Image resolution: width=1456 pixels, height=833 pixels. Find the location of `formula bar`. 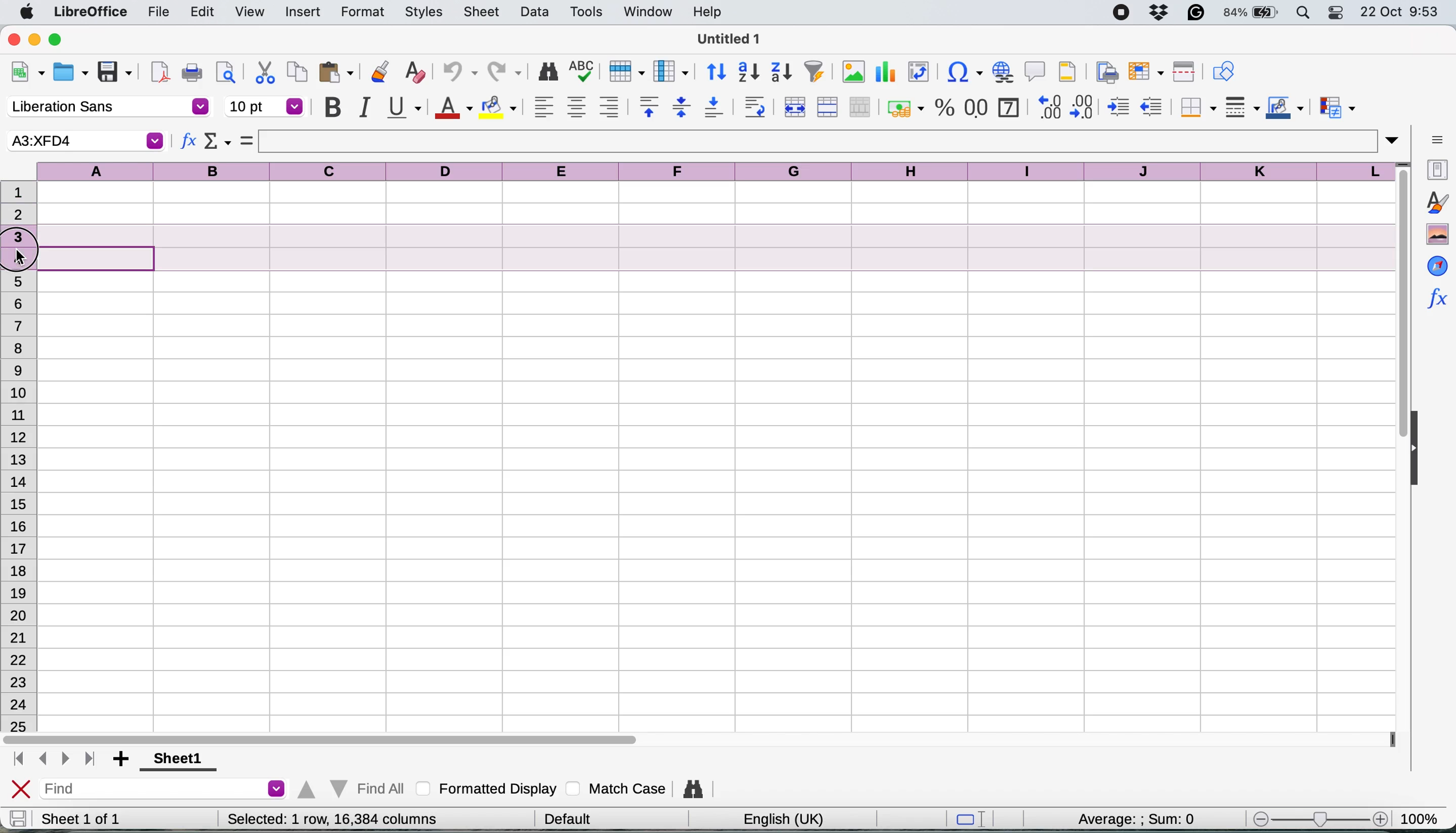

formula bar is located at coordinates (830, 141).